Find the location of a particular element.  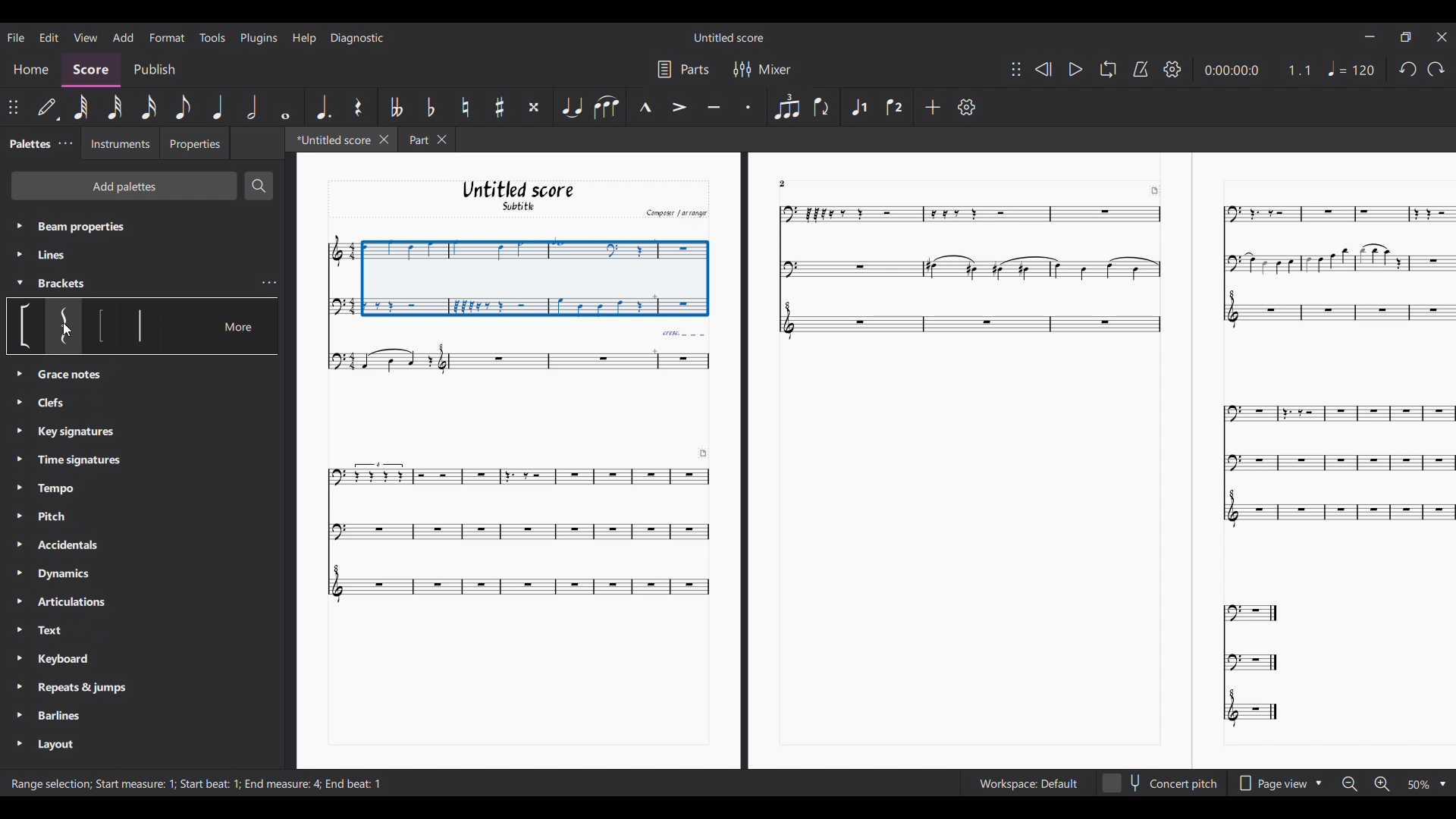

Cursor is located at coordinates (67, 329).